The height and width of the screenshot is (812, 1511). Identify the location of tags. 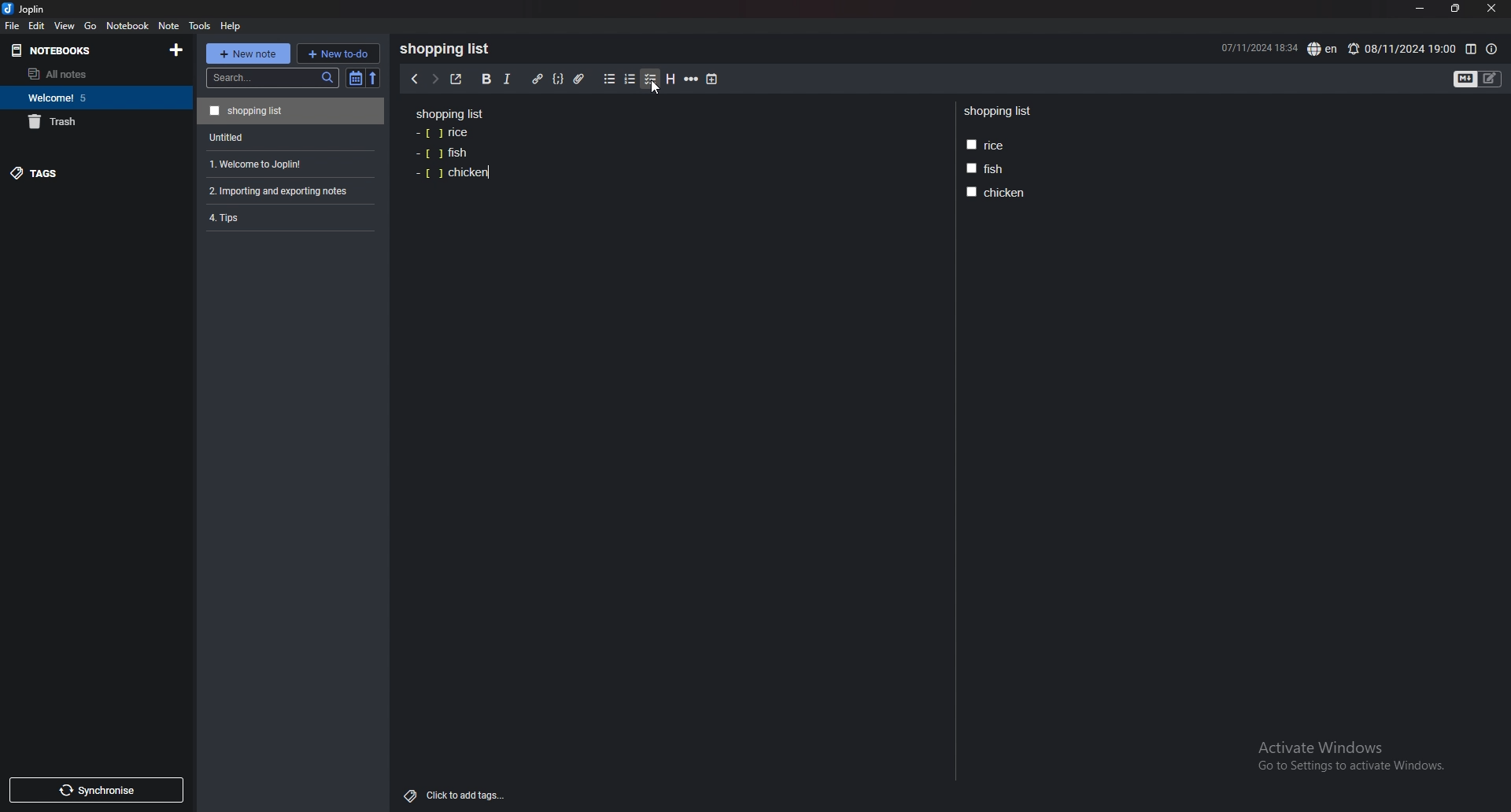
(84, 172).